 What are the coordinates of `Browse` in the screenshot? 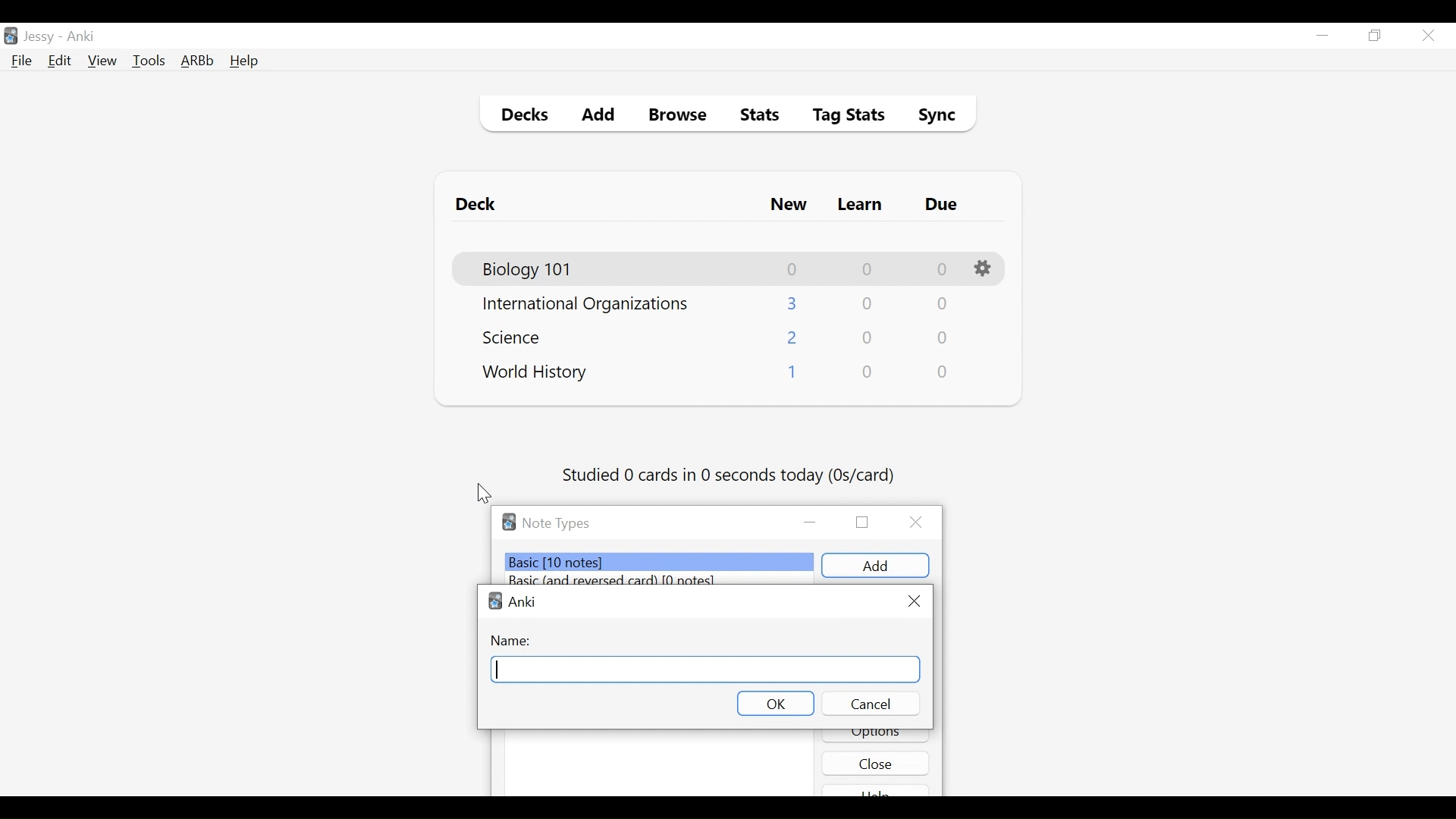 It's located at (680, 117).